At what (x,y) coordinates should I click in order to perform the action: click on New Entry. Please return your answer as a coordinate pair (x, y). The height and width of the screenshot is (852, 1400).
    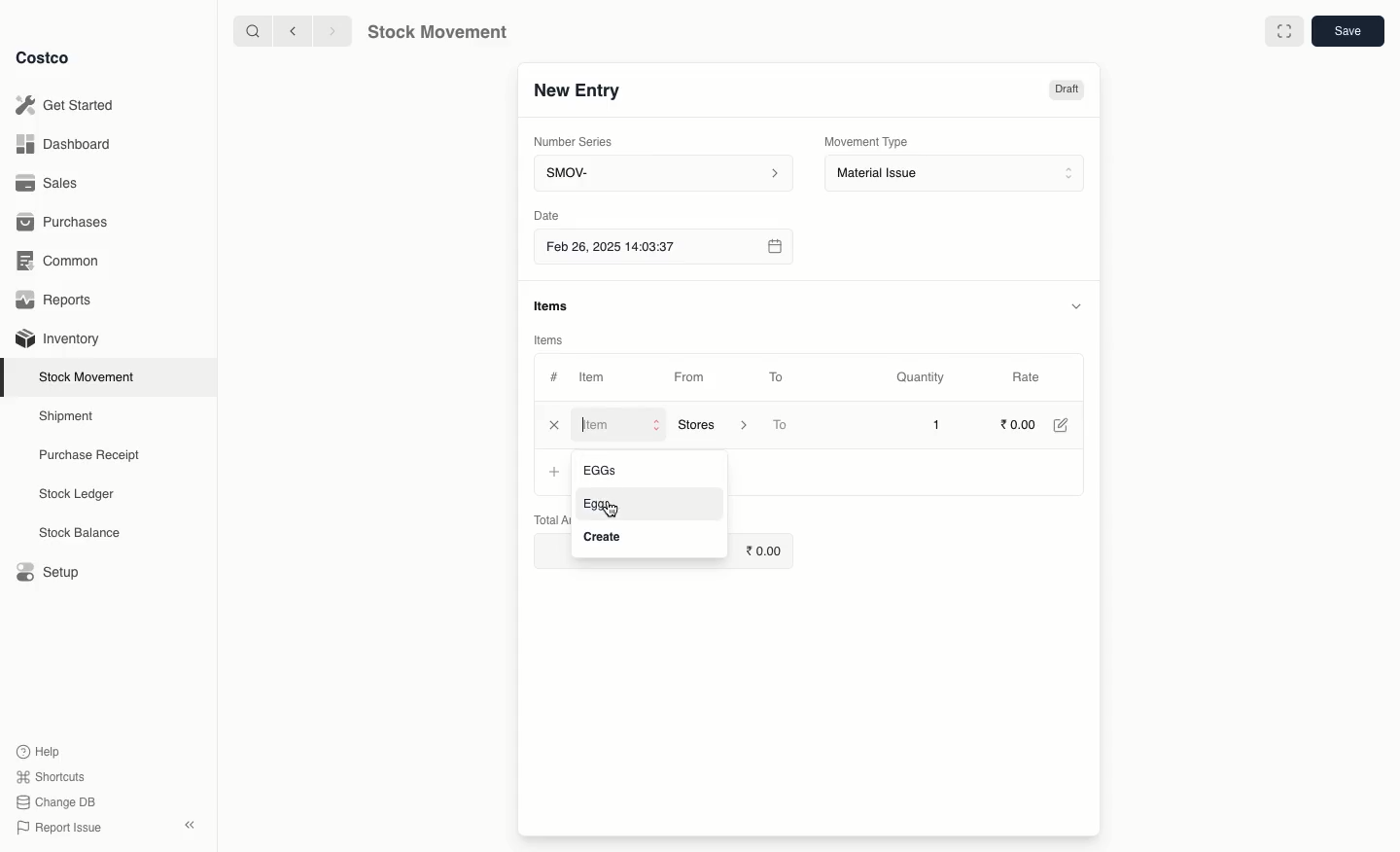
    Looking at the image, I should click on (579, 94).